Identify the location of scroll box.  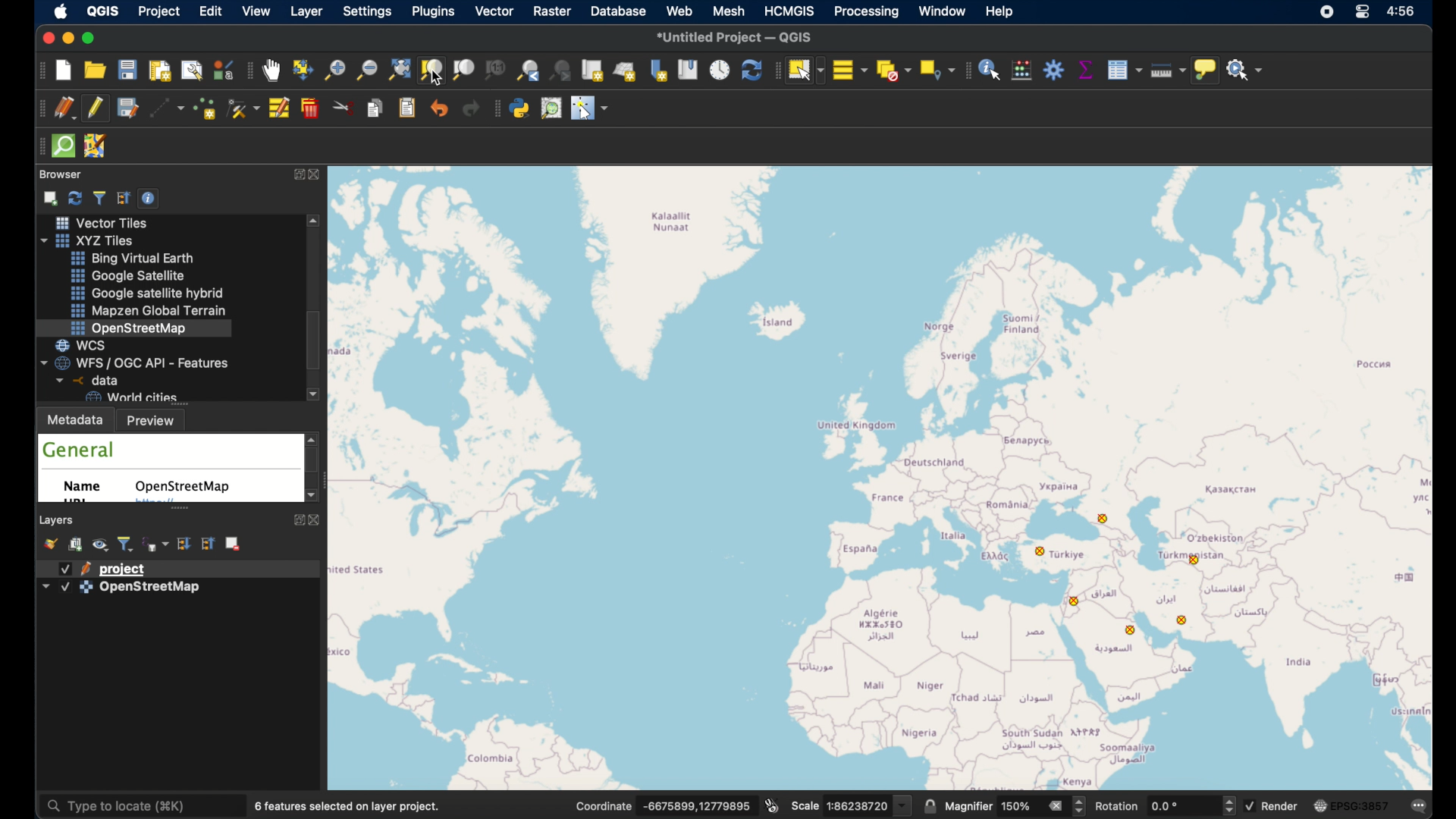
(317, 341).